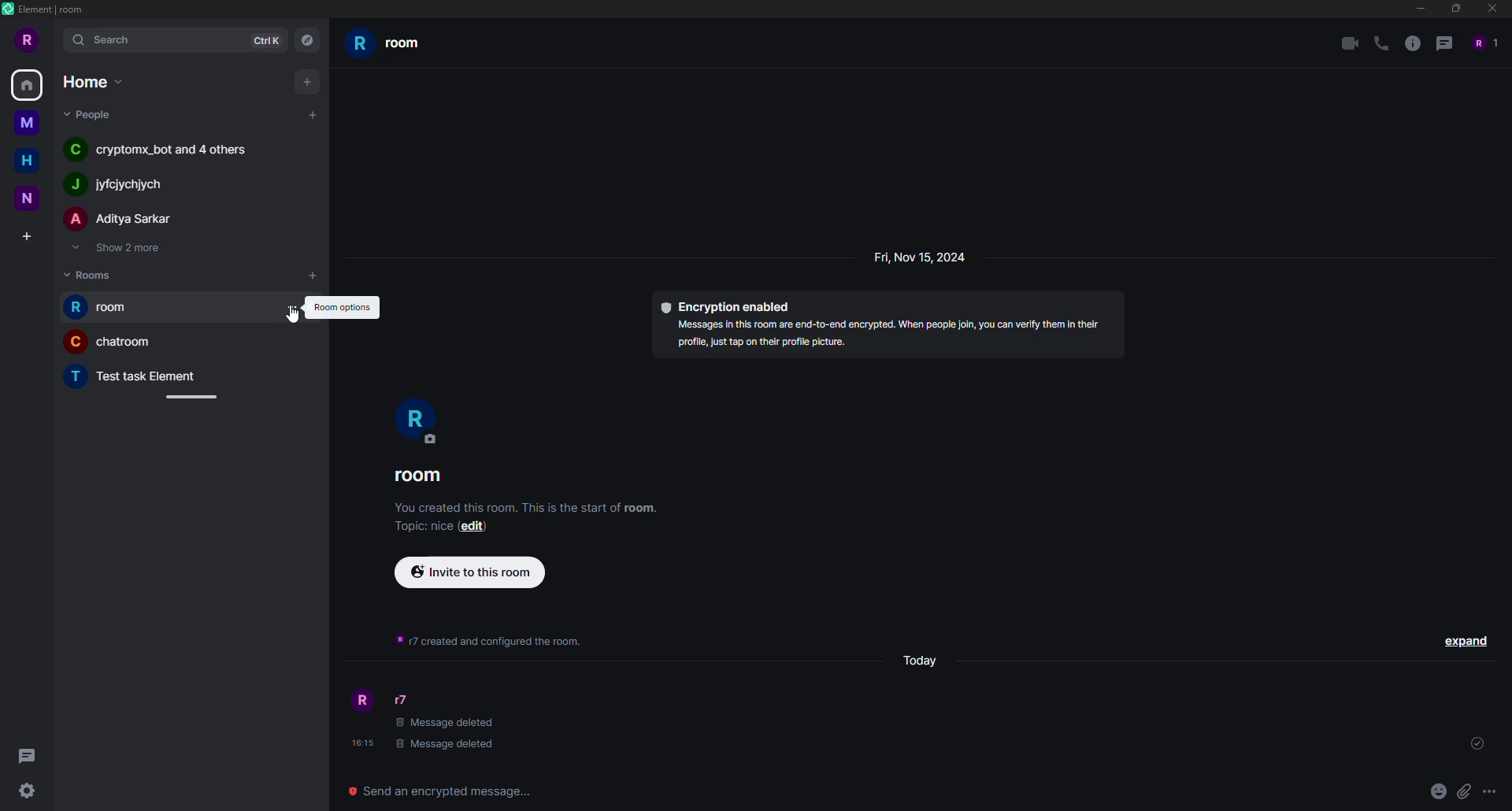  I want to click on emoji, so click(1437, 791).